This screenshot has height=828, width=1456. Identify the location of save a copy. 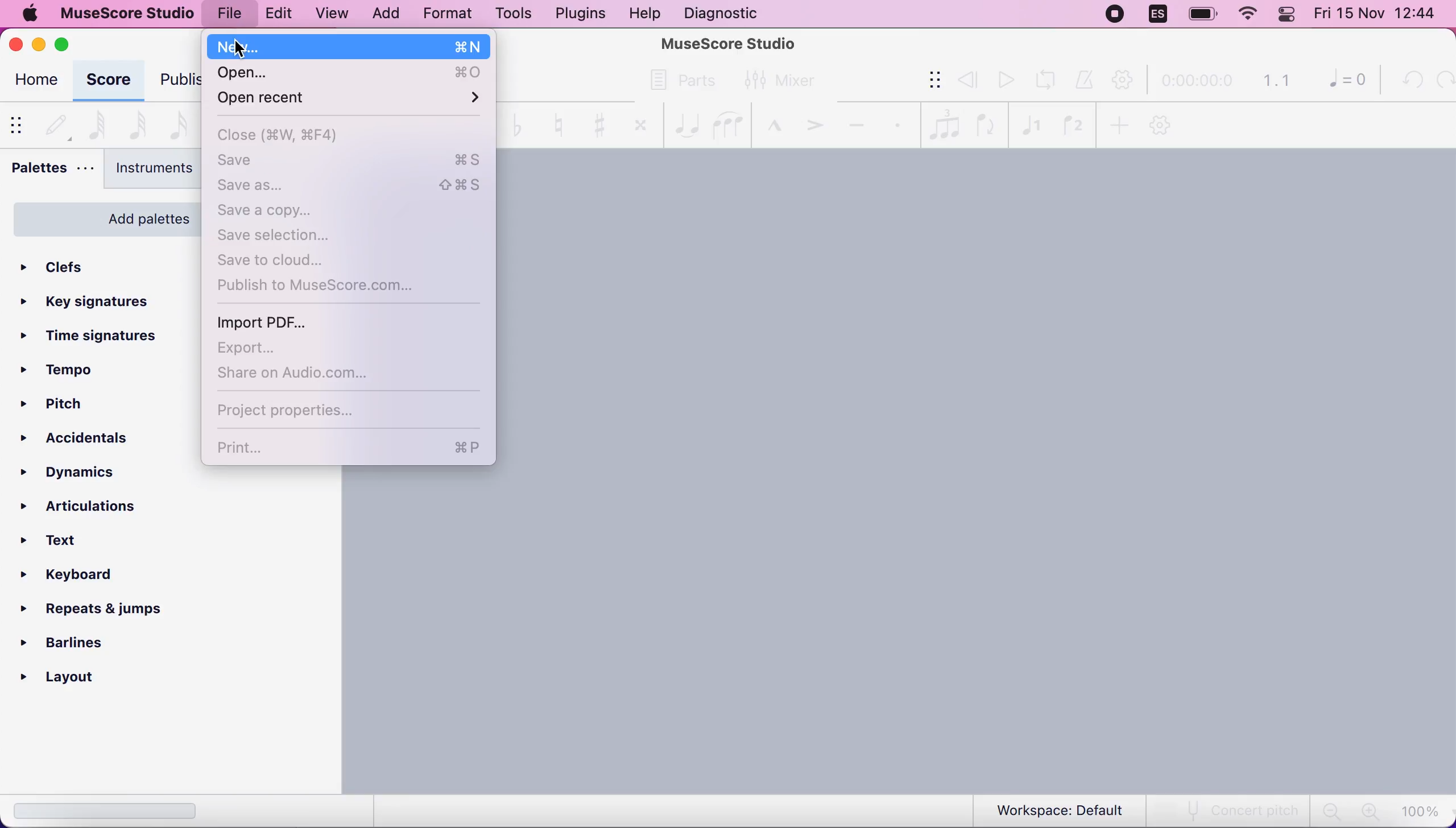
(306, 210).